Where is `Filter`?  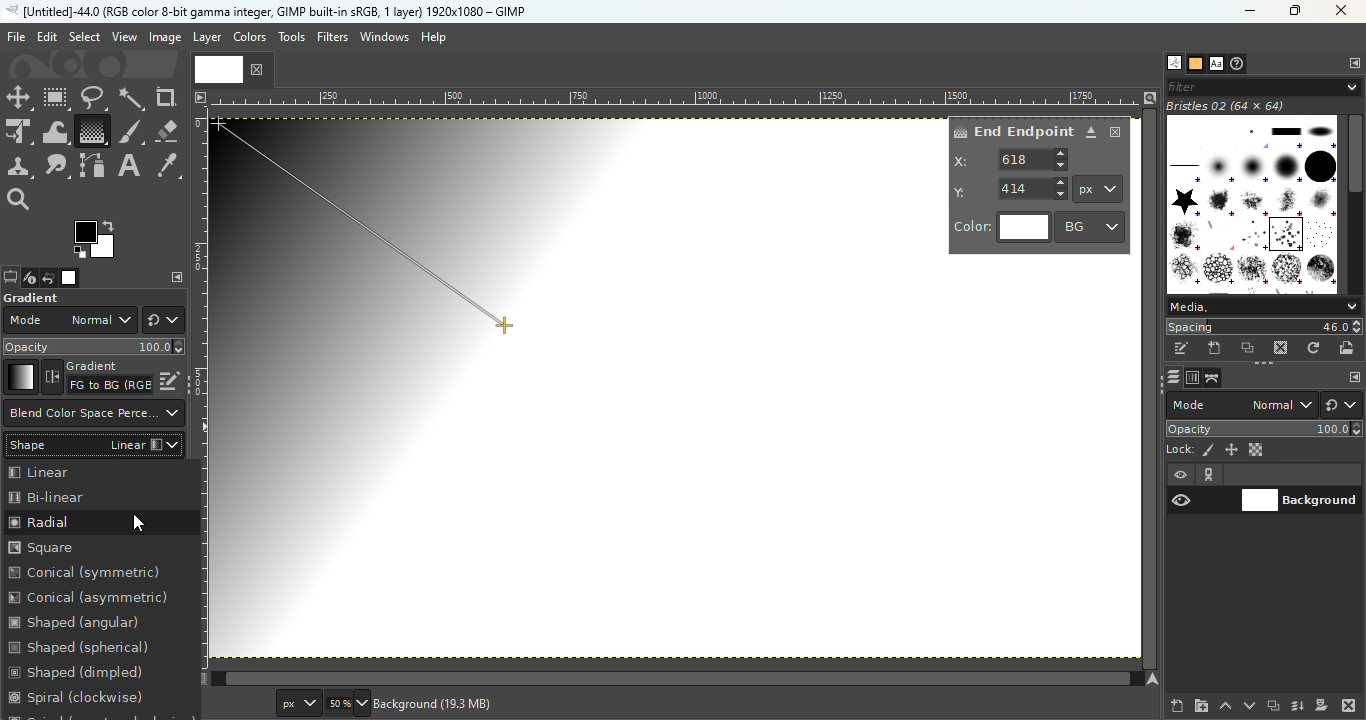
Filter is located at coordinates (1264, 86).